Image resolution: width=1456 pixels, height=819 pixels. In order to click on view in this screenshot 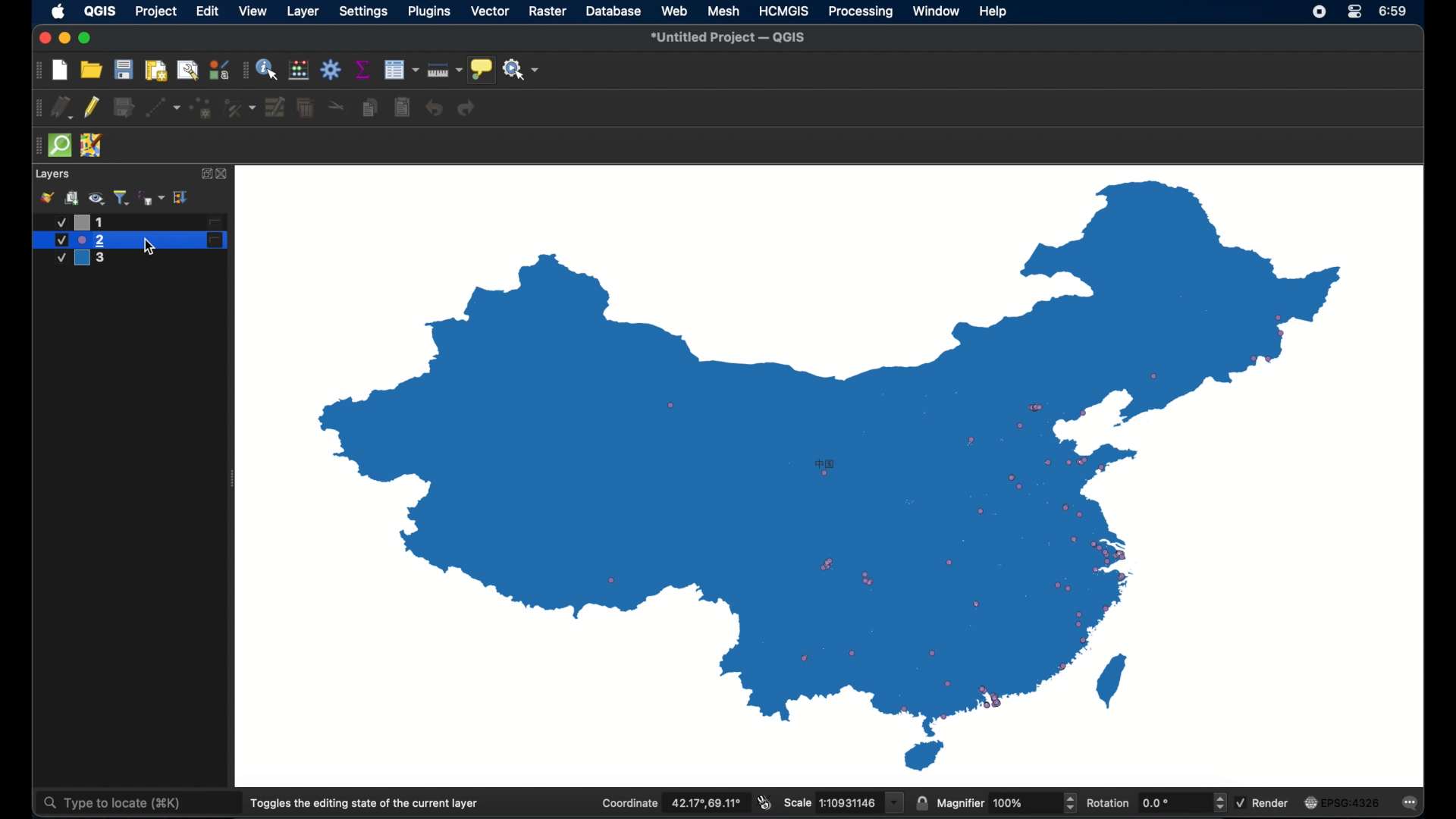, I will do `click(254, 11)`.